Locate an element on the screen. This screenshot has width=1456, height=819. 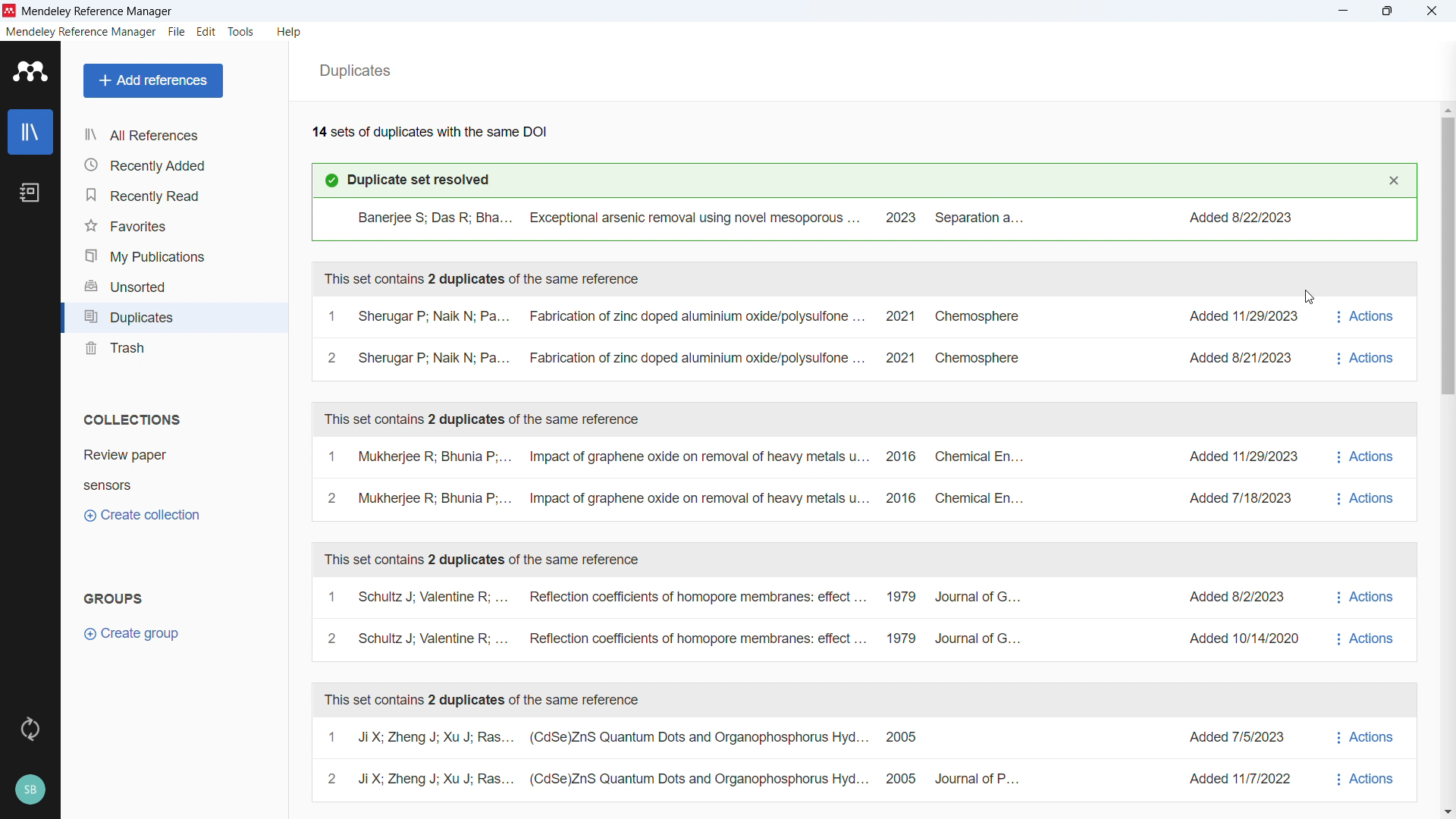
Library  is located at coordinates (31, 133).